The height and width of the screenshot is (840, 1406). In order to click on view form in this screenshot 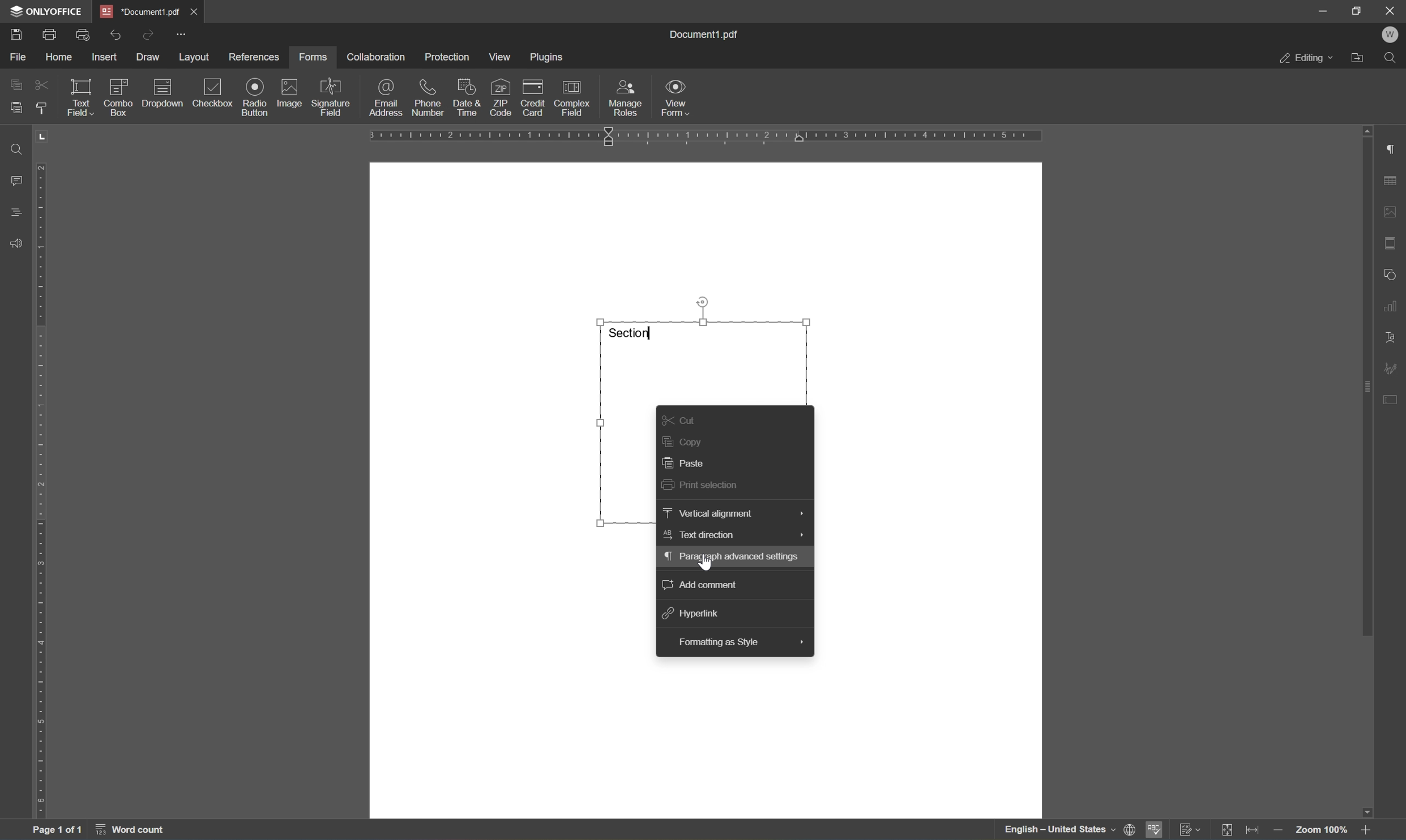, I will do `click(682, 99)`.